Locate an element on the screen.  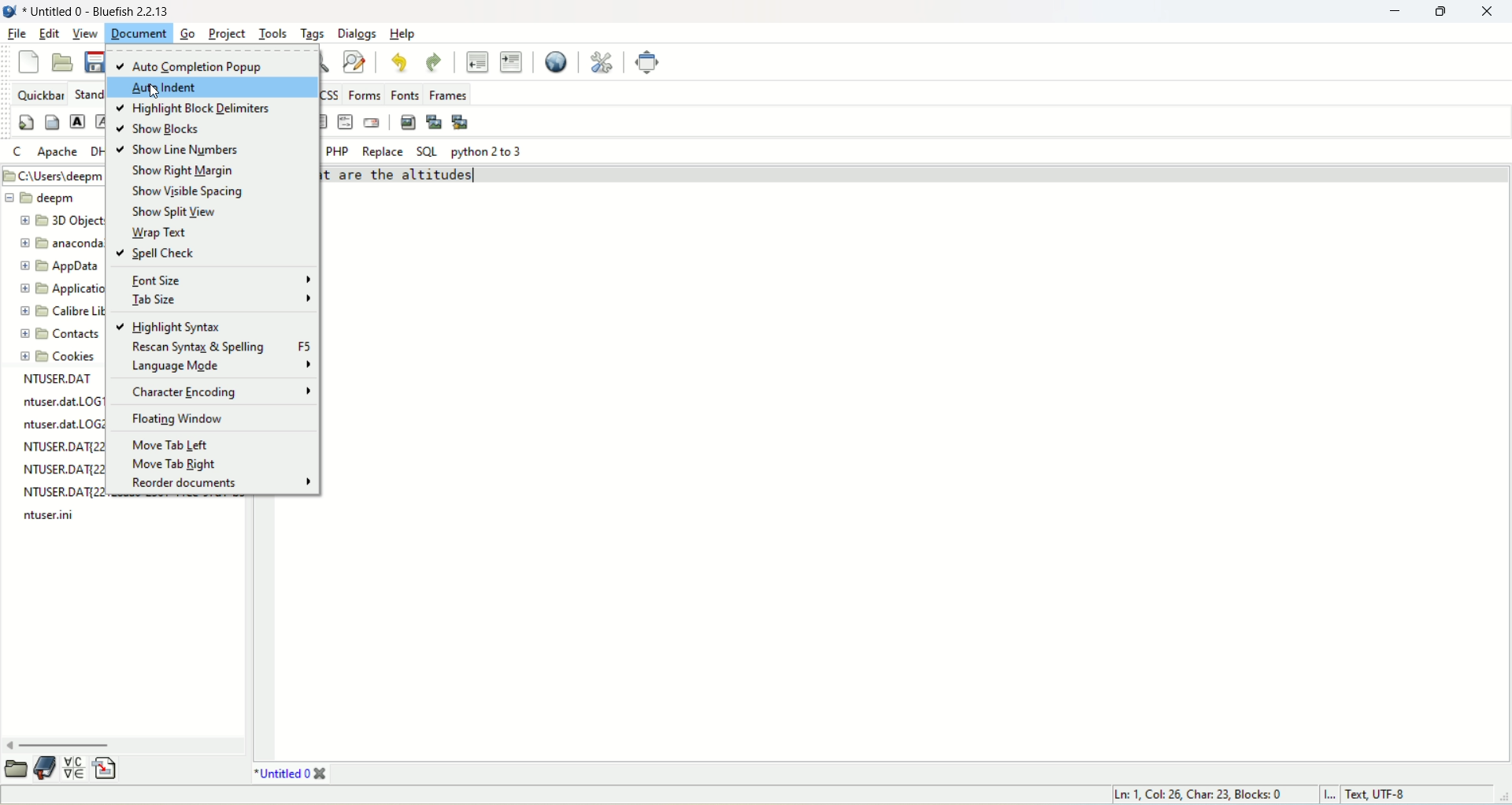
move tab right is located at coordinates (177, 463).